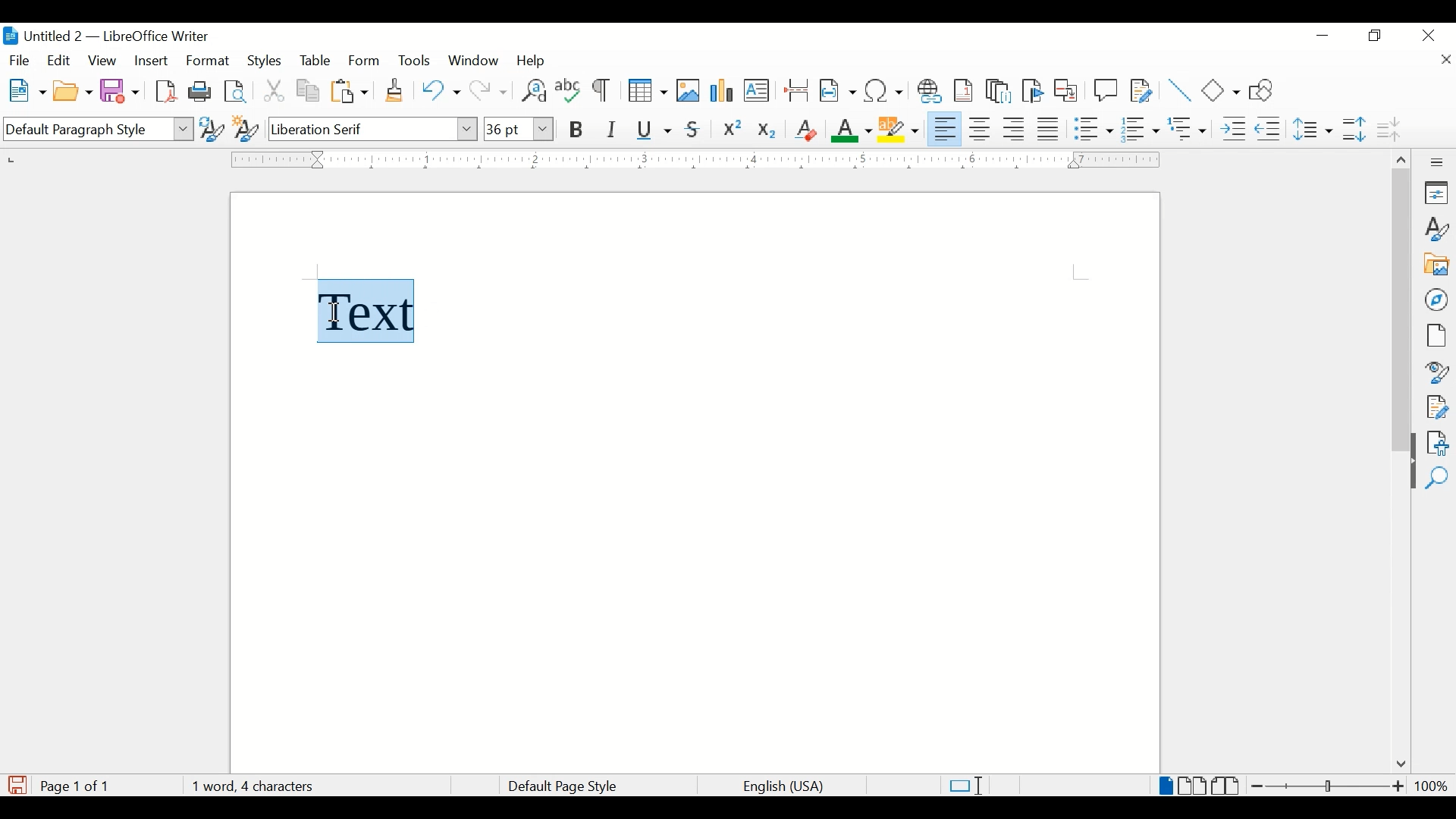 The image size is (1456, 819). I want to click on help, so click(534, 61).